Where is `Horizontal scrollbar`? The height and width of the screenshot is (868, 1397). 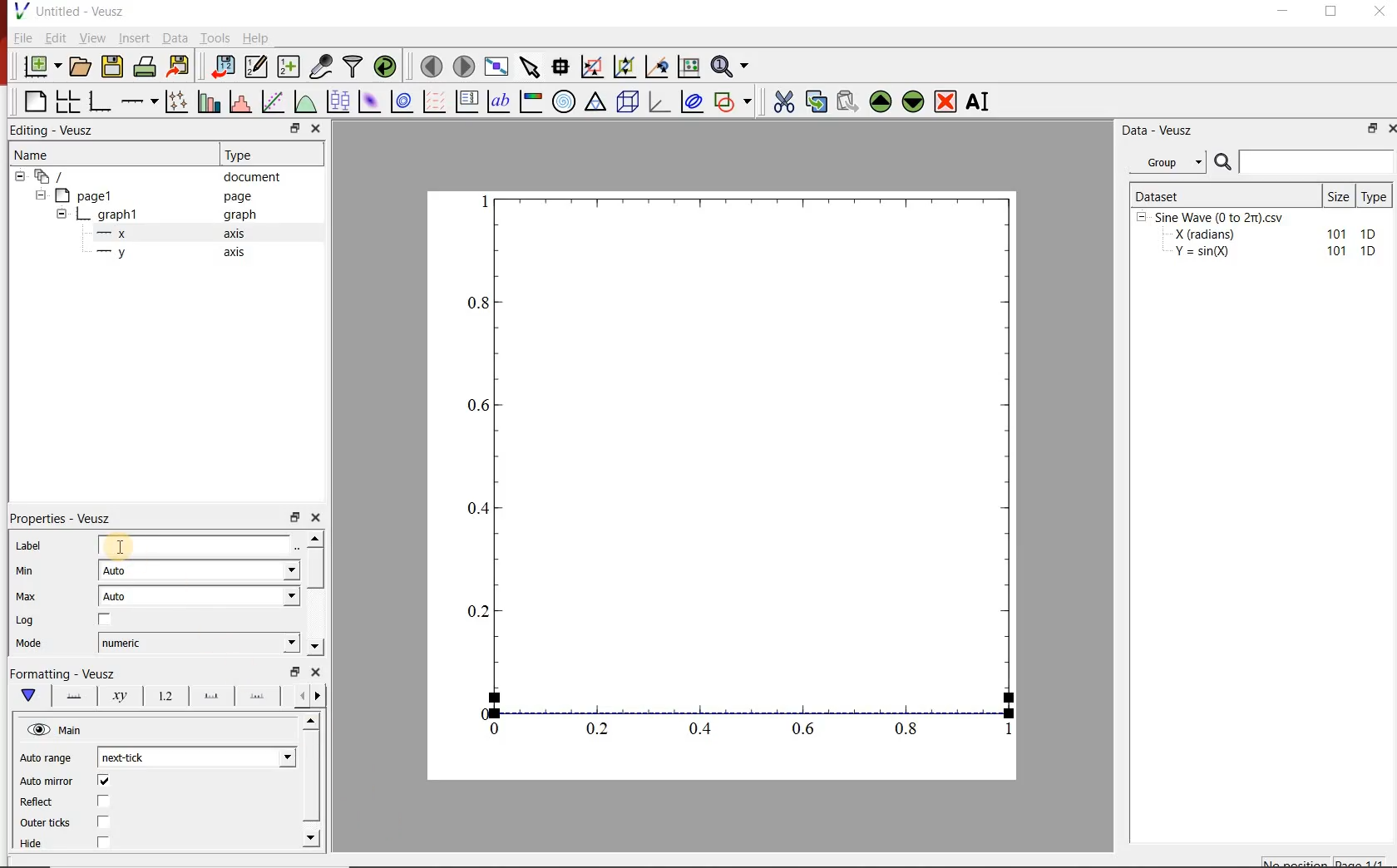 Horizontal scrollbar is located at coordinates (313, 778).